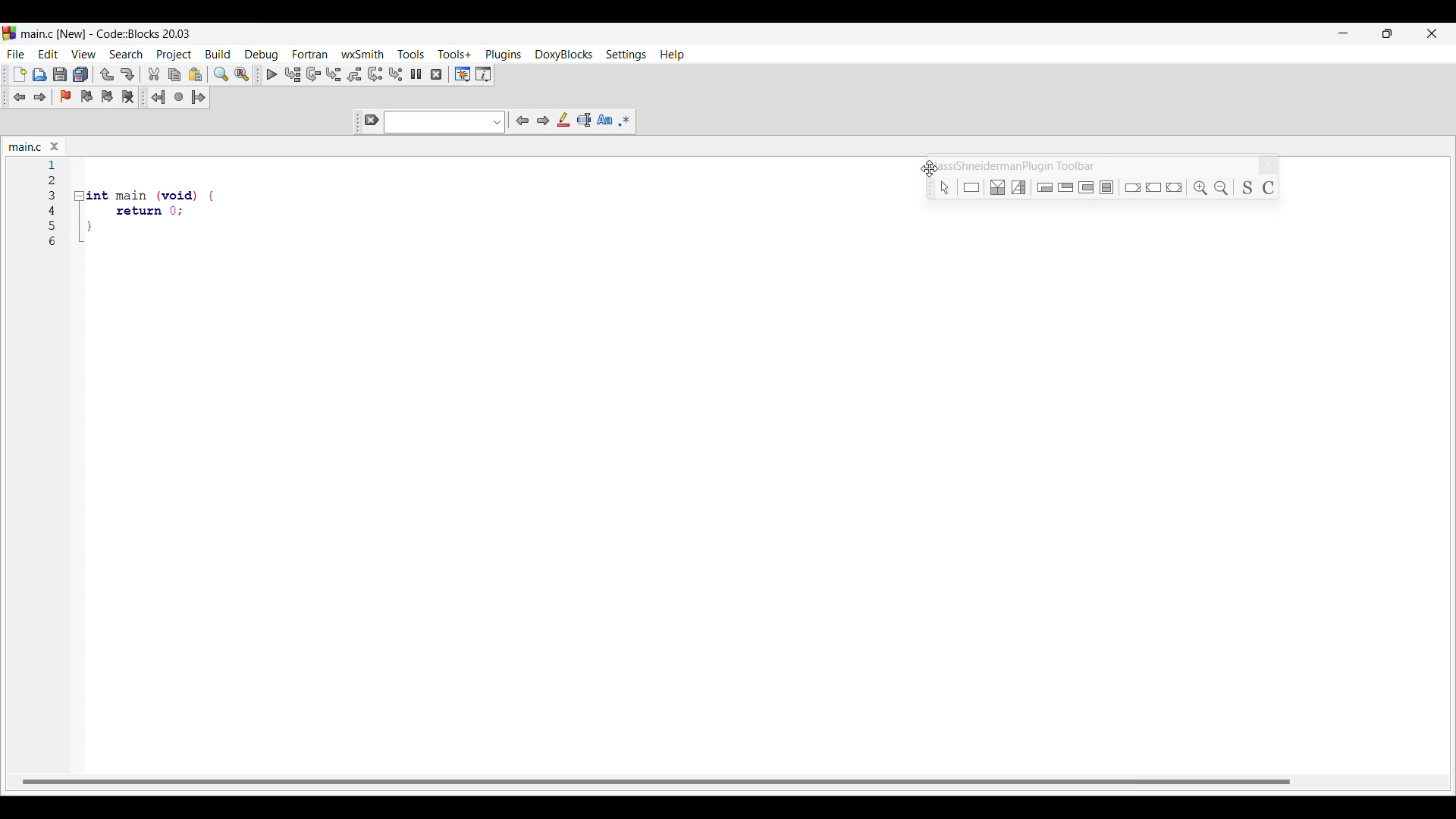 This screenshot has width=1456, height=819. Describe the element at coordinates (1000, 187) in the screenshot. I see `` at that location.